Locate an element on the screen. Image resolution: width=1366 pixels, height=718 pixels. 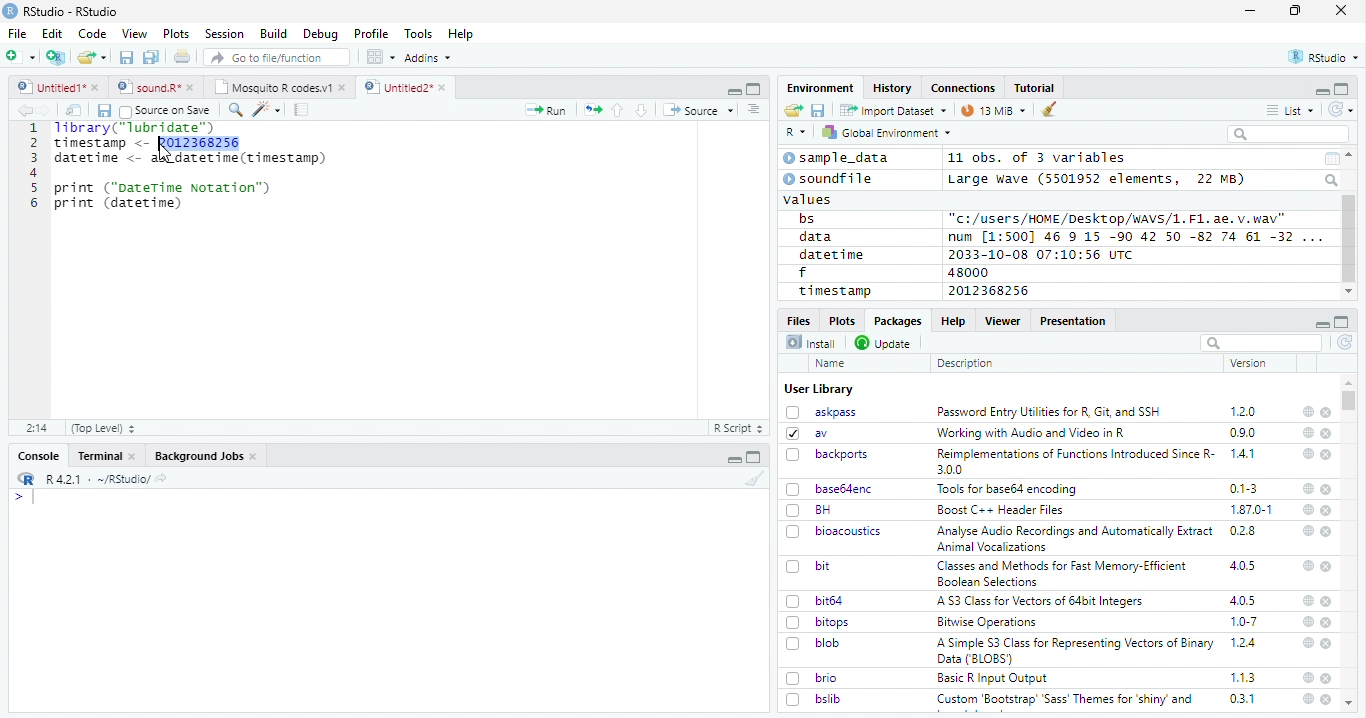
close is located at coordinates (1326, 699).